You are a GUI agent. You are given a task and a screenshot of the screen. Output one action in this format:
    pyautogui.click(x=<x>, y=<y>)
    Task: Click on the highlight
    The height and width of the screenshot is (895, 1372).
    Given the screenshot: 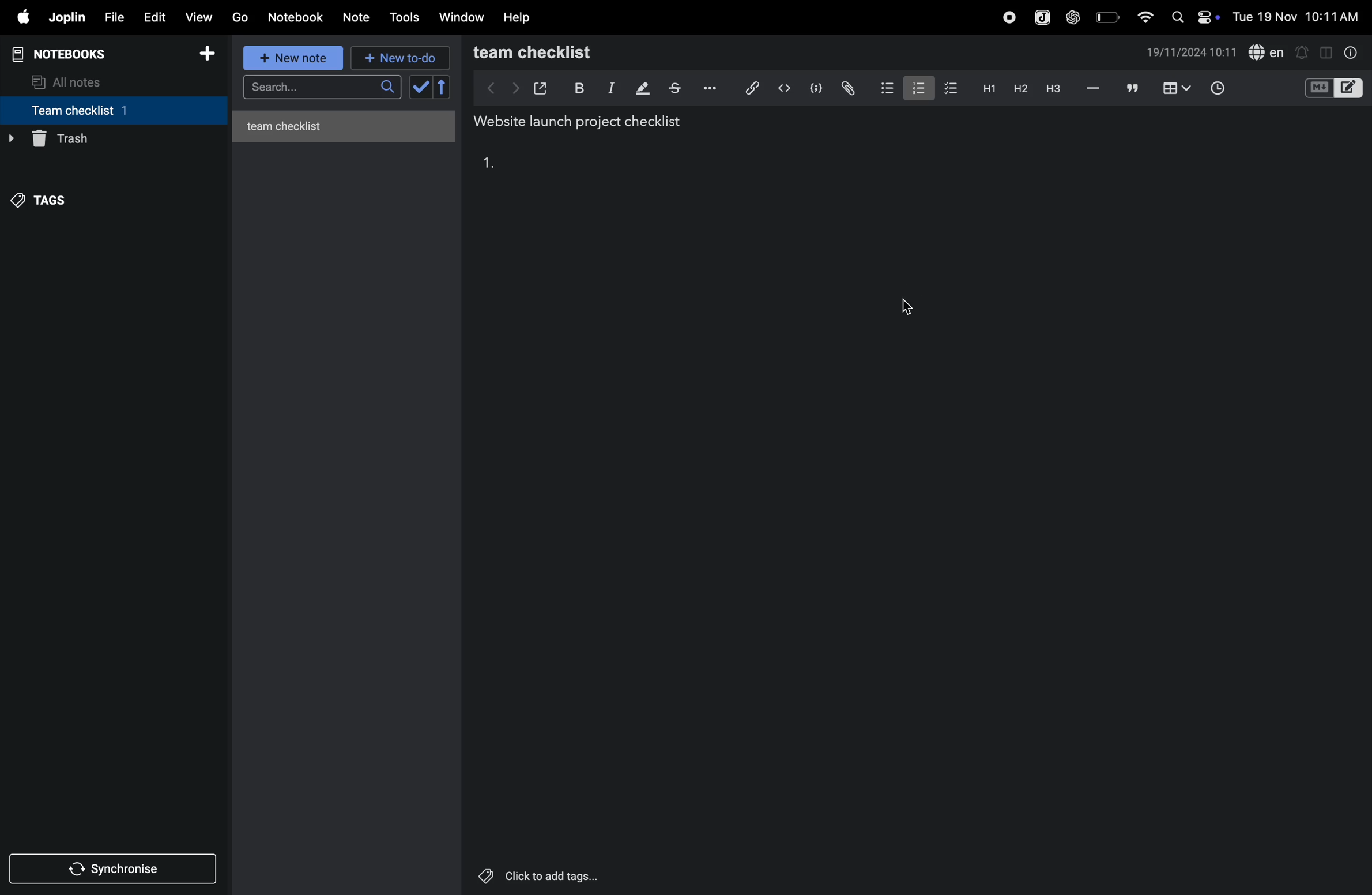 What is the action you would take?
    pyautogui.click(x=641, y=89)
    